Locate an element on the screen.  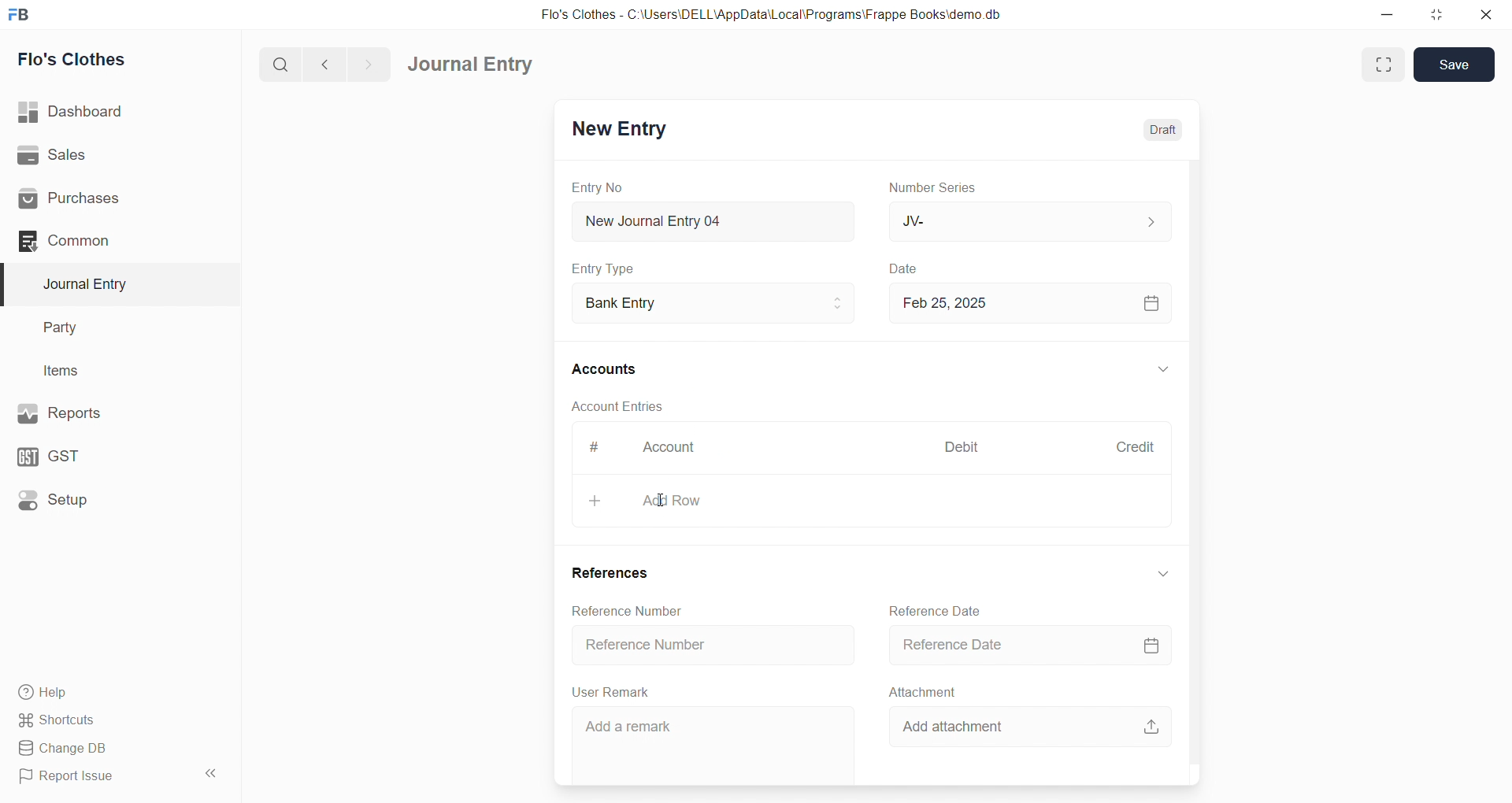
Help is located at coordinates (114, 691).